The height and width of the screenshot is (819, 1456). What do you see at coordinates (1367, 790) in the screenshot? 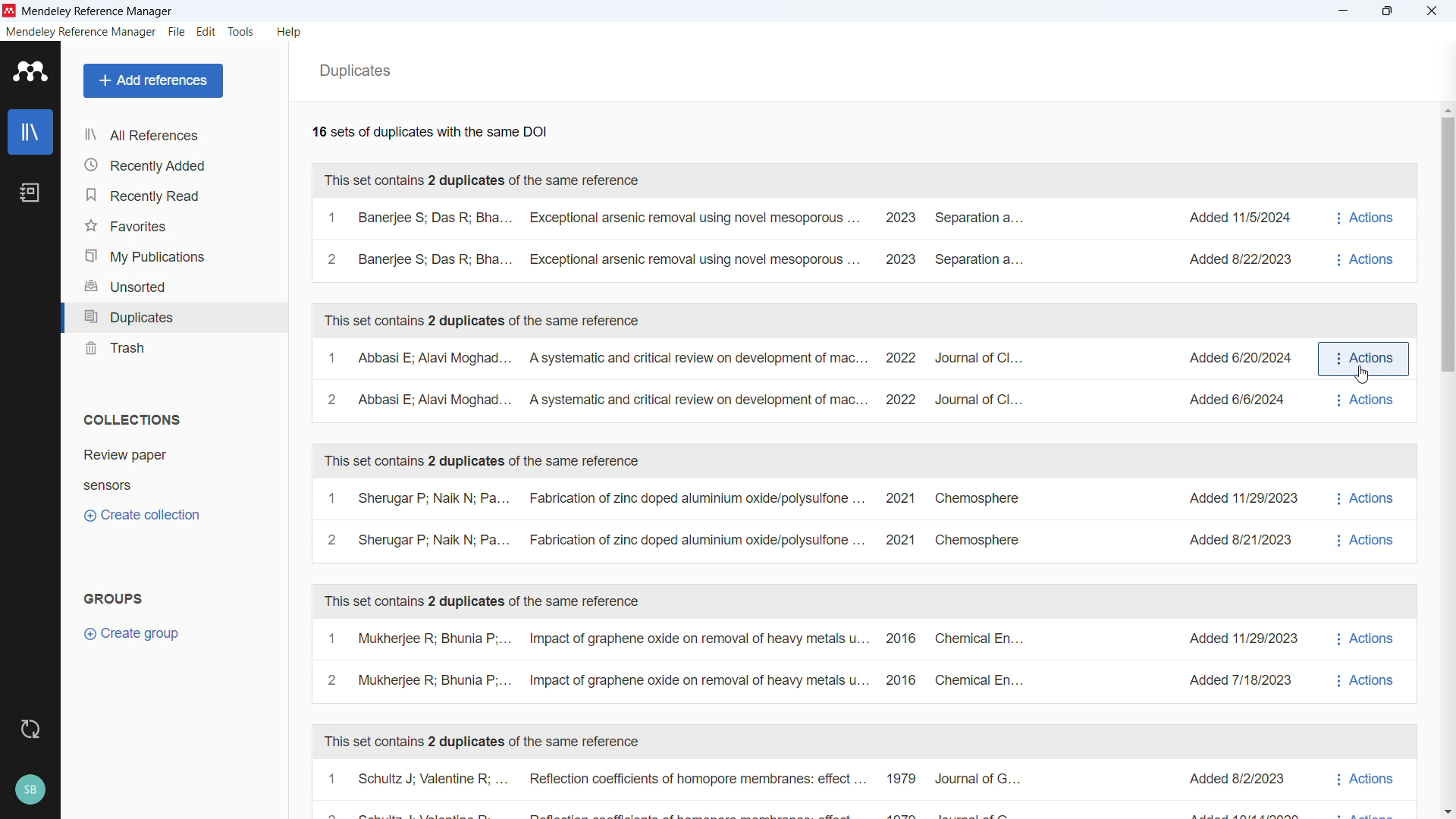
I see `actions` at bounding box center [1367, 790].